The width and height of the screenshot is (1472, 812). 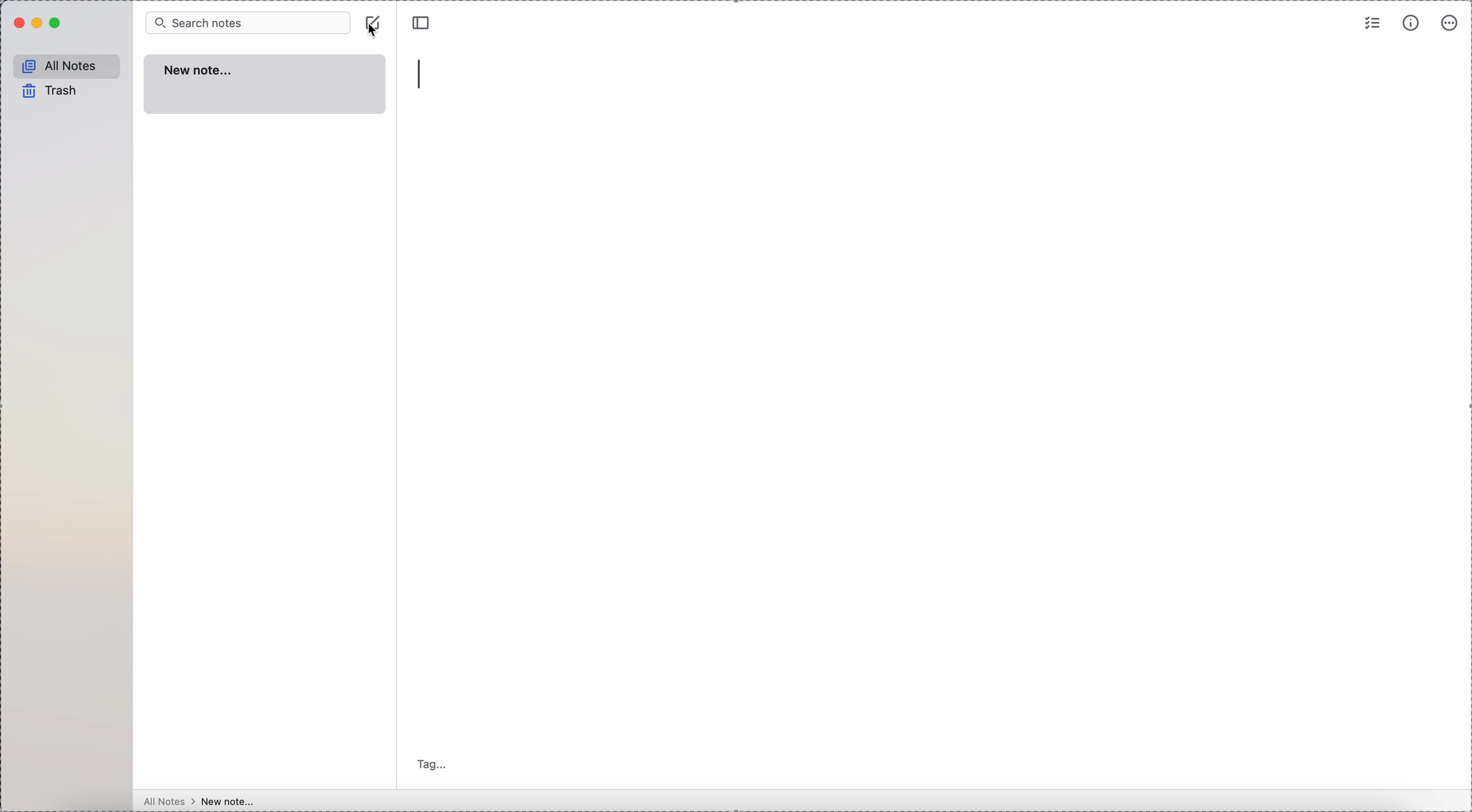 I want to click on cursor, so click(x=374, y=32).